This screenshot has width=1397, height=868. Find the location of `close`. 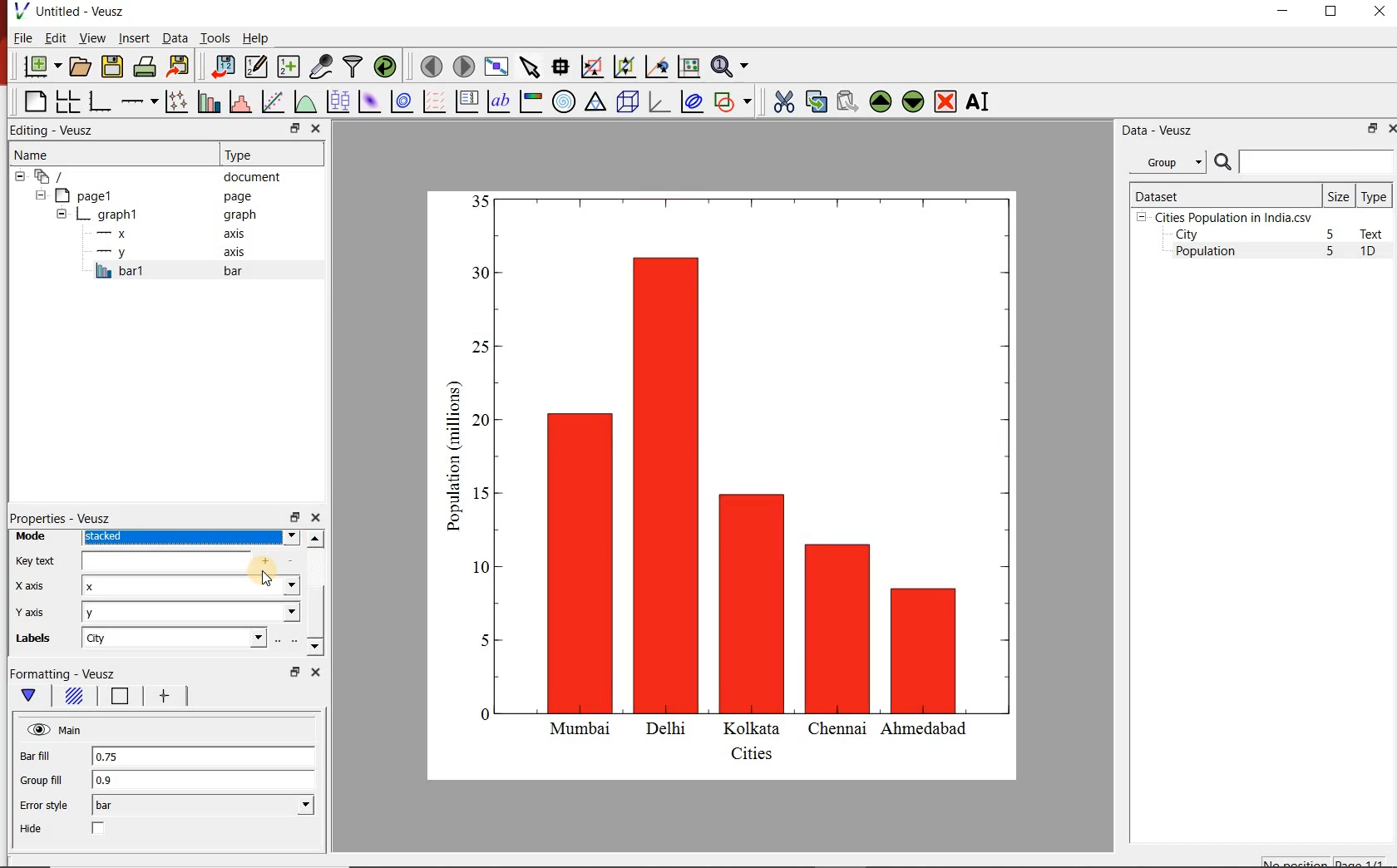

close is located at coordinates (318, 128).